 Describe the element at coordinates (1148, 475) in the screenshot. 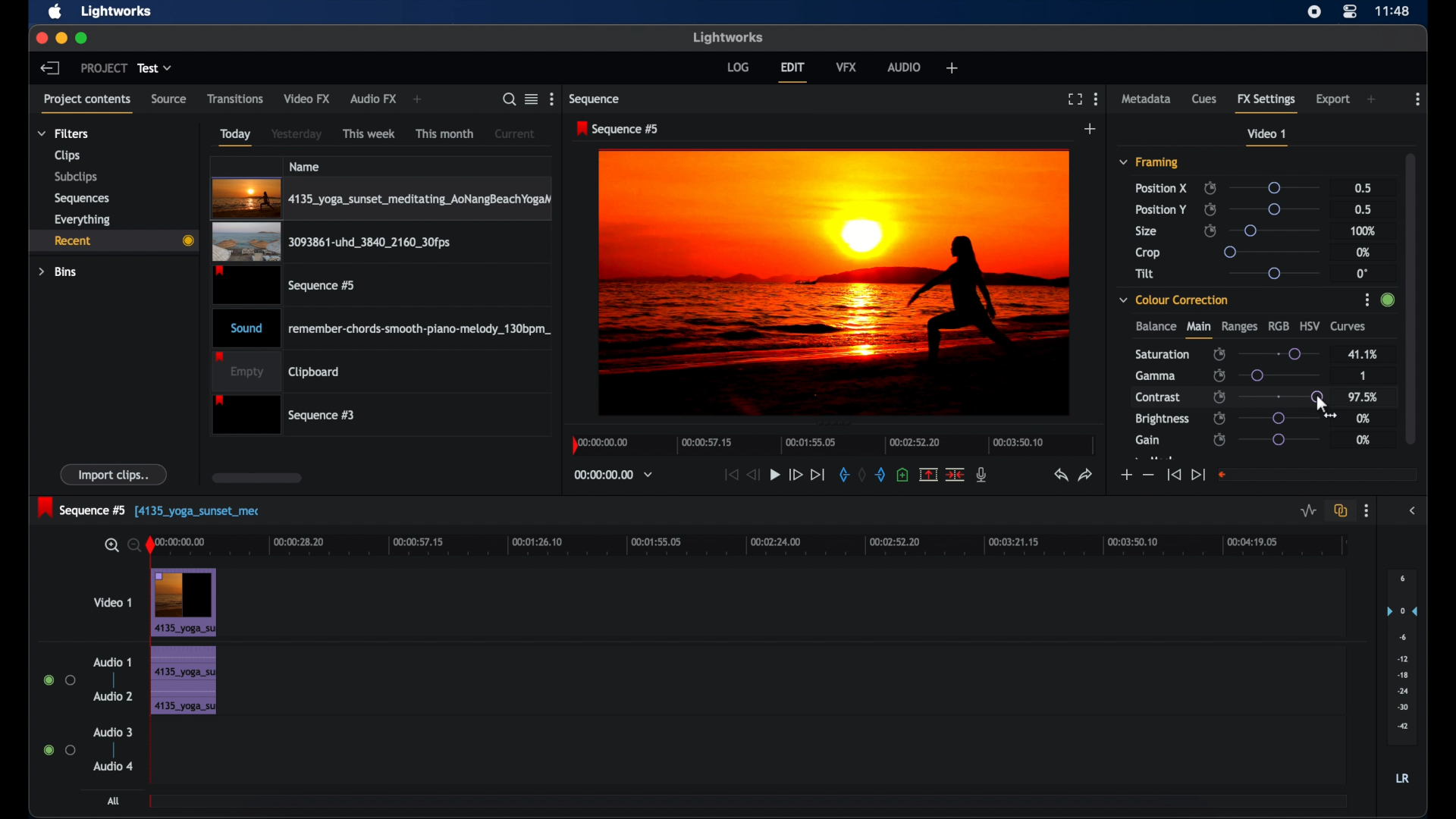

I see `decrement` at that location.